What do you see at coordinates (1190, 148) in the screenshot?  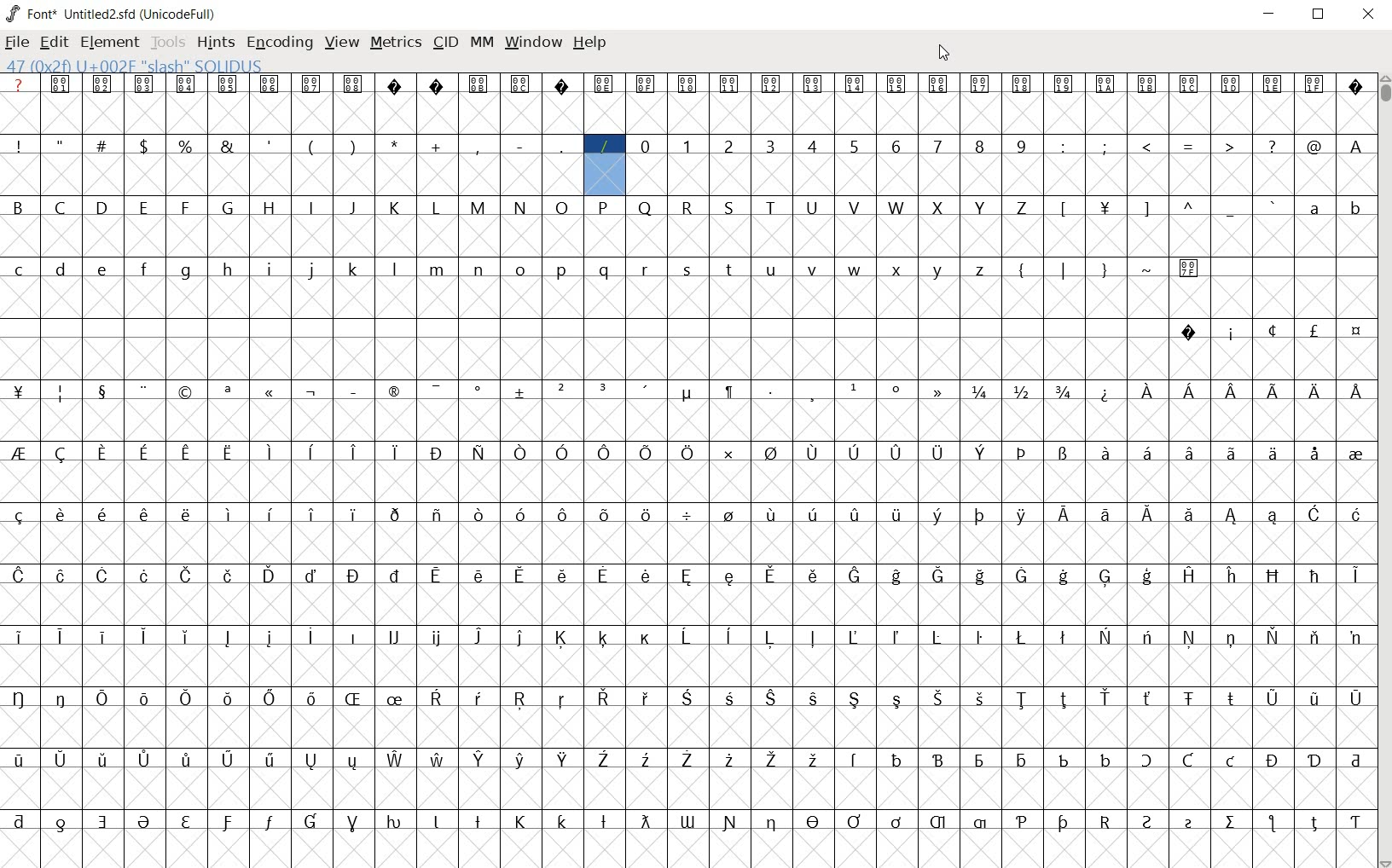 I see `glyph` at bounding box center [1190, 148].